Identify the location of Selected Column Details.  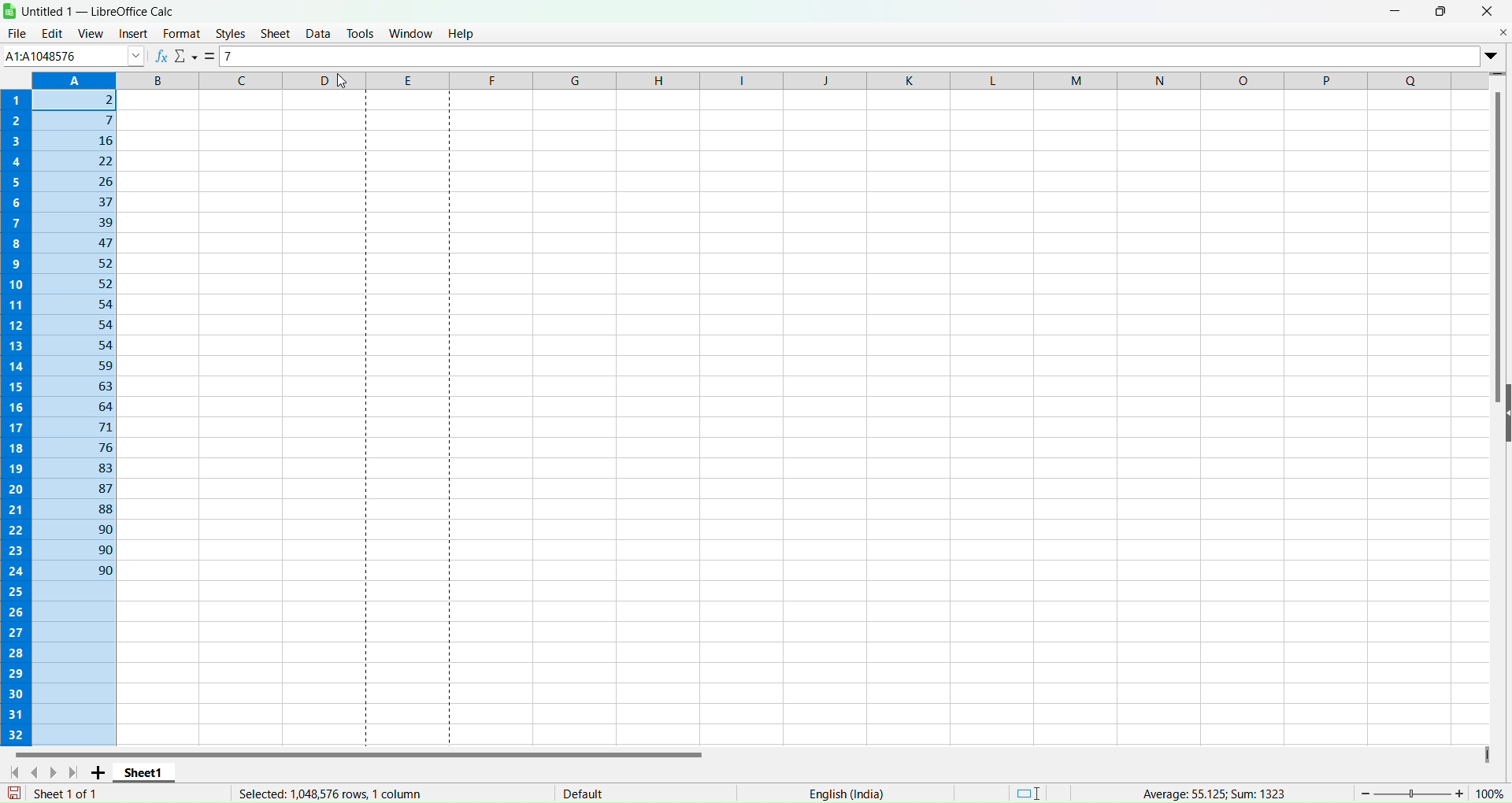
(322, 794).